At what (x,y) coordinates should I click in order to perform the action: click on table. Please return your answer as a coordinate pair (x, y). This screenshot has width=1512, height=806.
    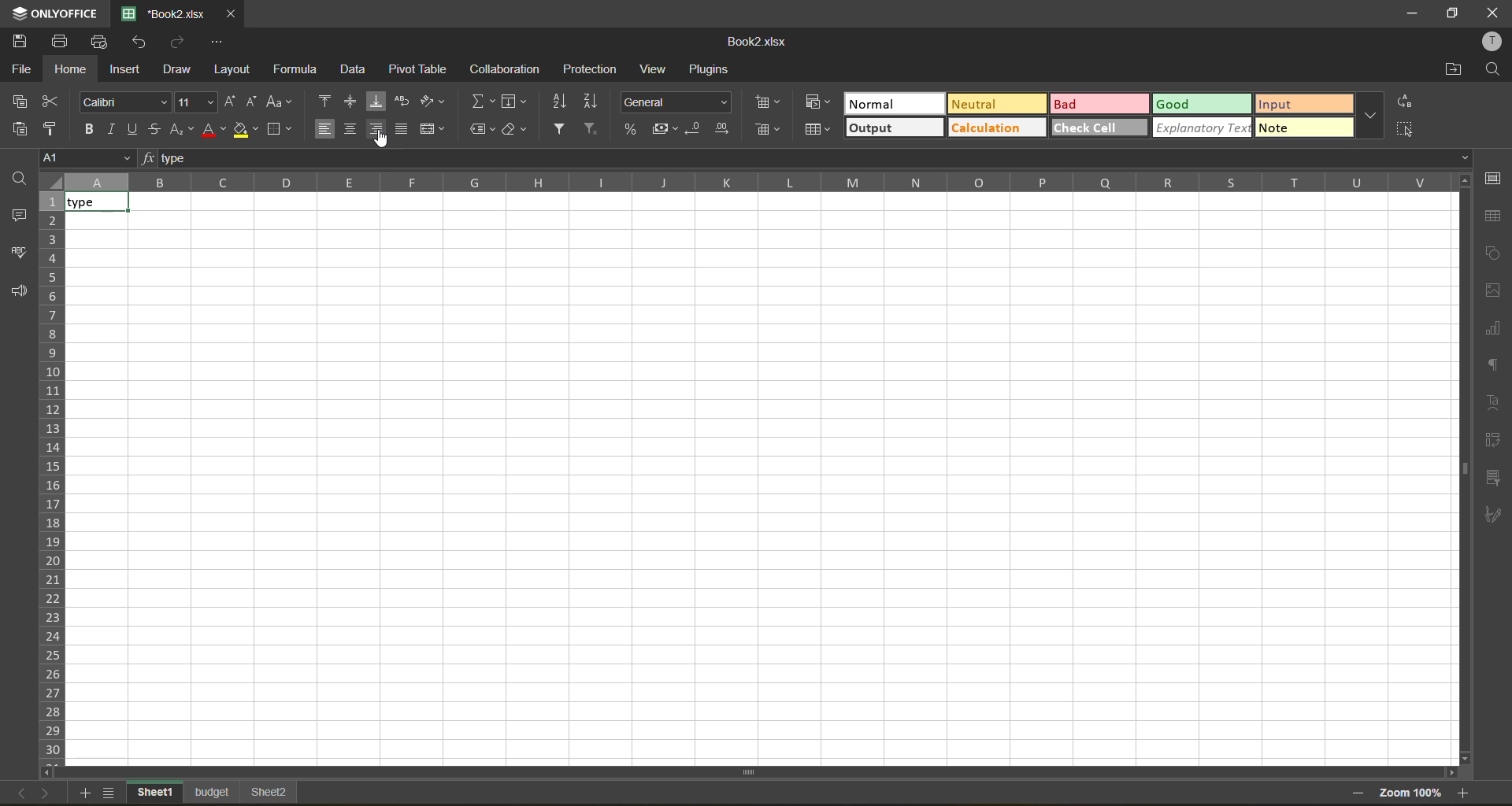
    Looking at the image, I should click on (1493, 216).